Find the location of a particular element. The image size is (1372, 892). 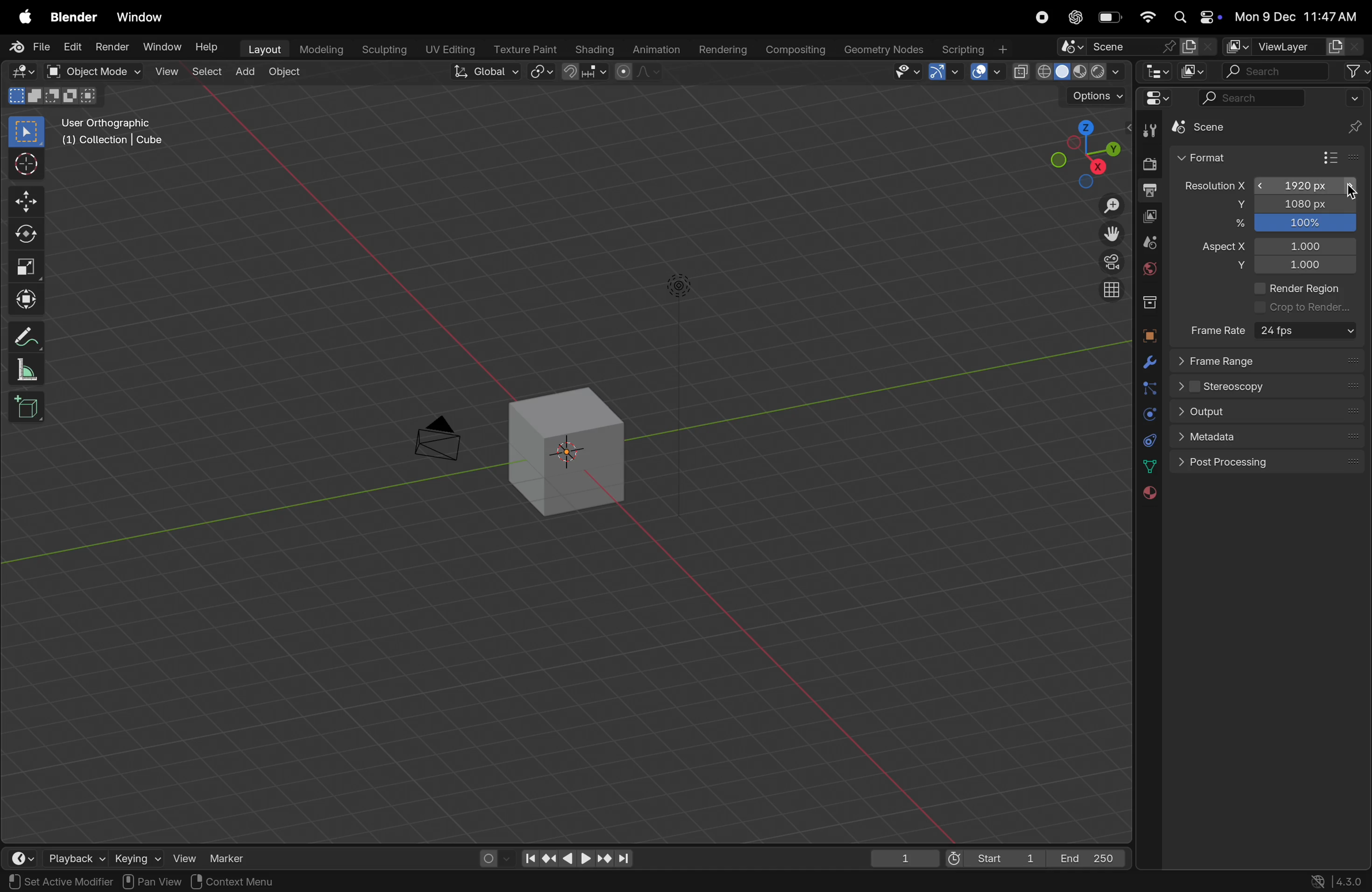

End 250 is located at coordinates (1088, 857).